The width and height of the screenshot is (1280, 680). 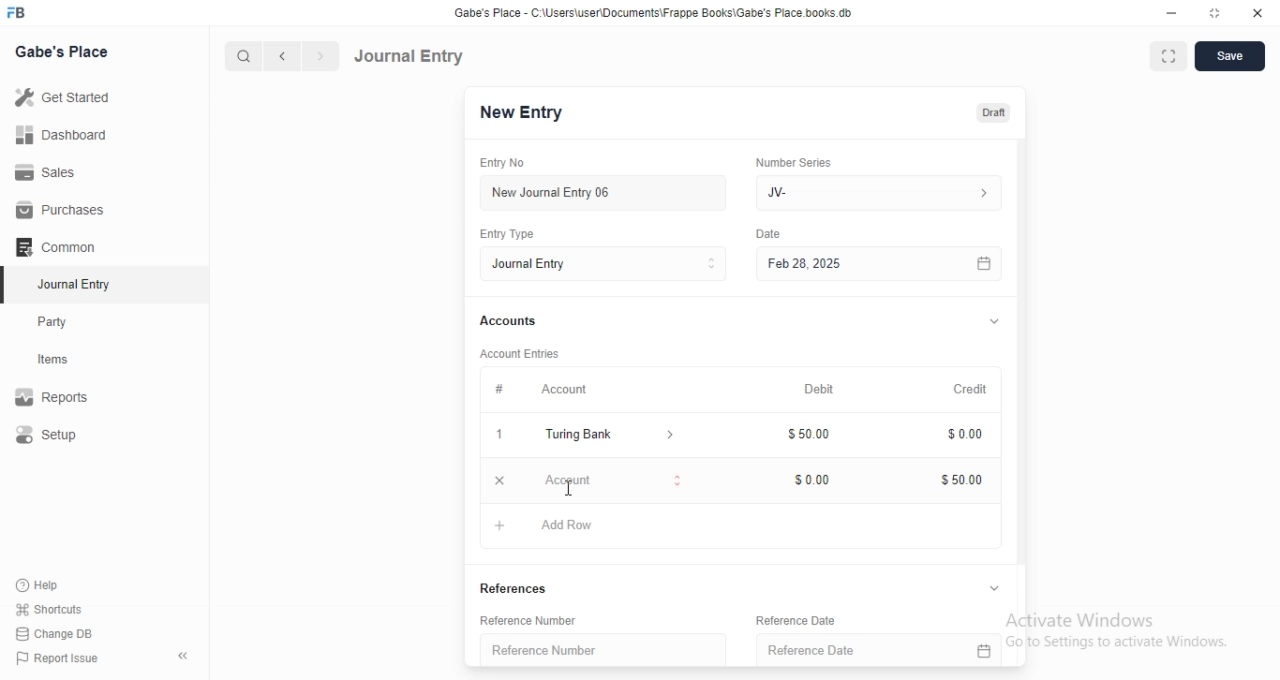 I want to click on calender, so click(x=983, y=651).